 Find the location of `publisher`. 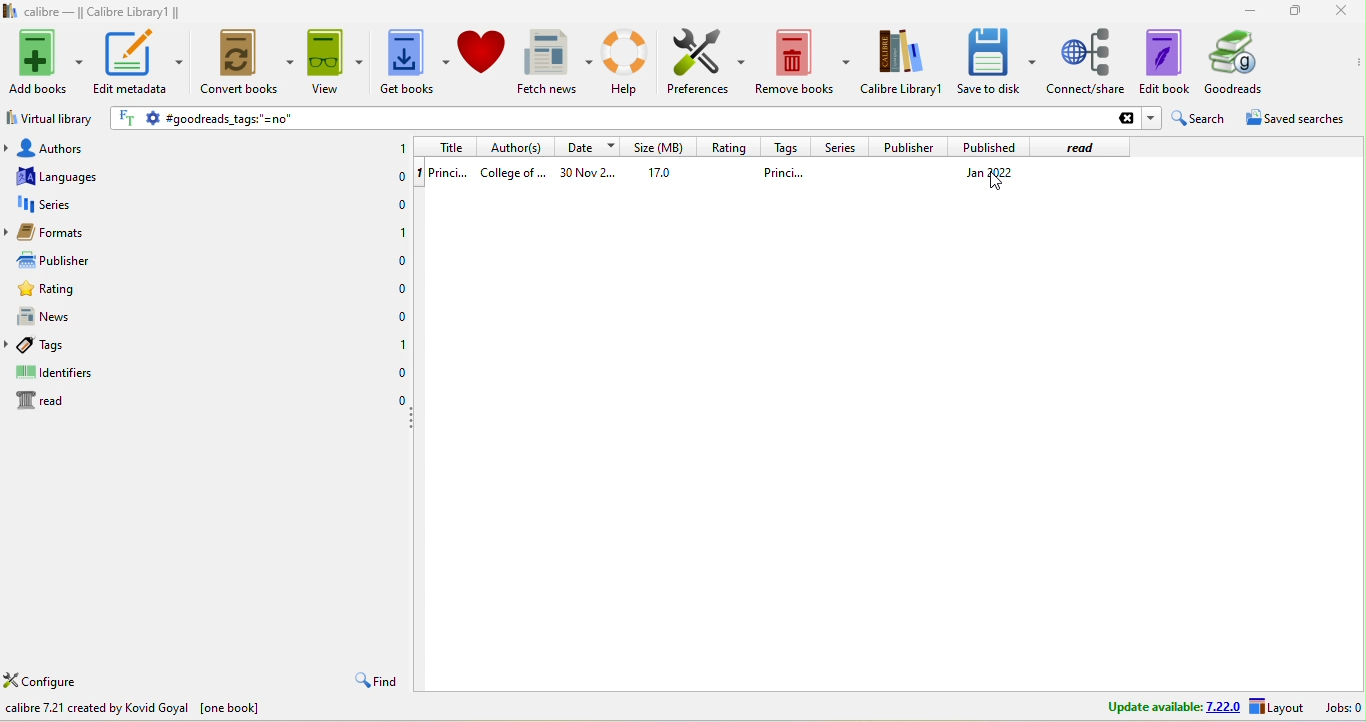

publisher is located at coordinates (906, 145).